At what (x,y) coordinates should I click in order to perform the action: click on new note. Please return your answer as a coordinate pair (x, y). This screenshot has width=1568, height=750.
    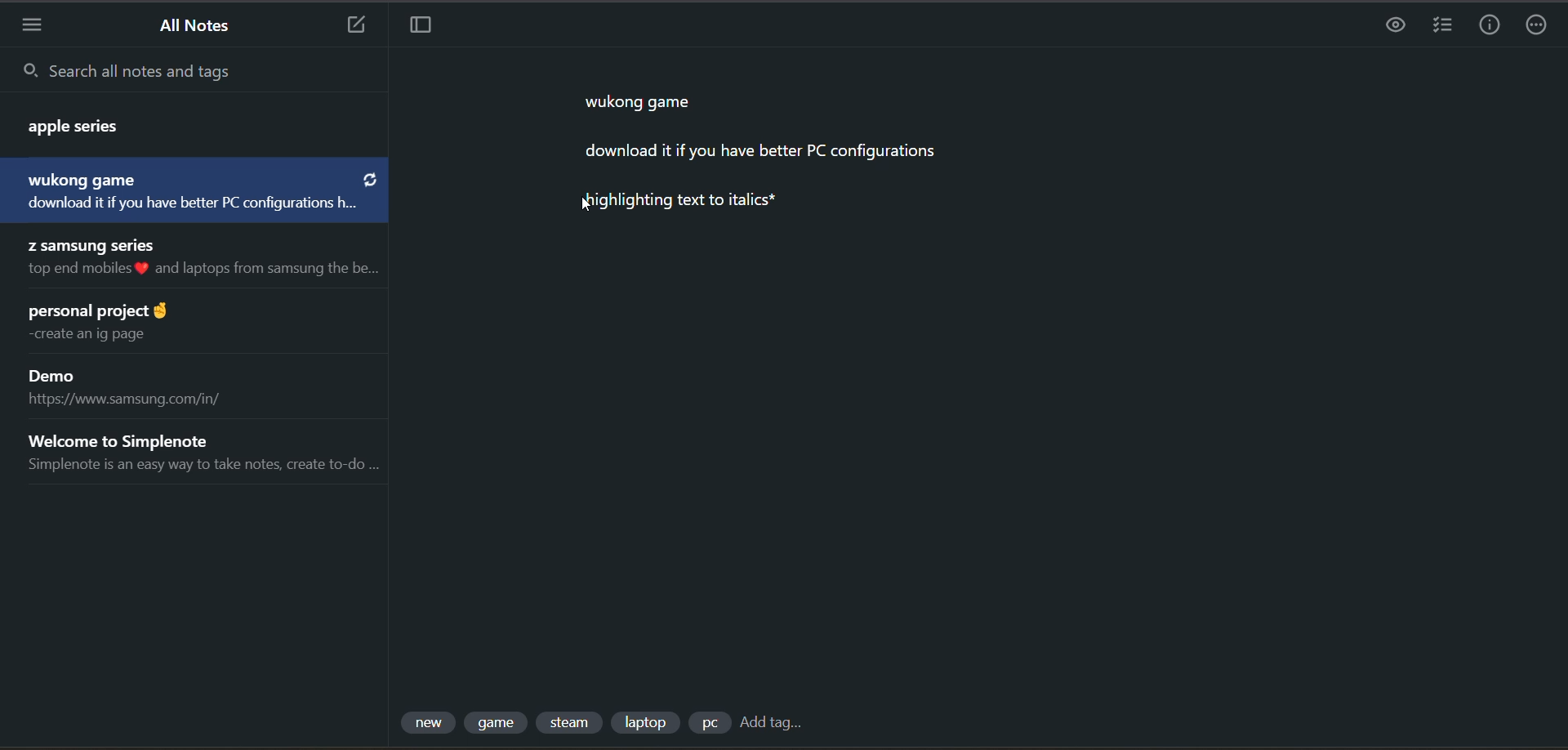
    Looking at the image, I should click on (355, 25).